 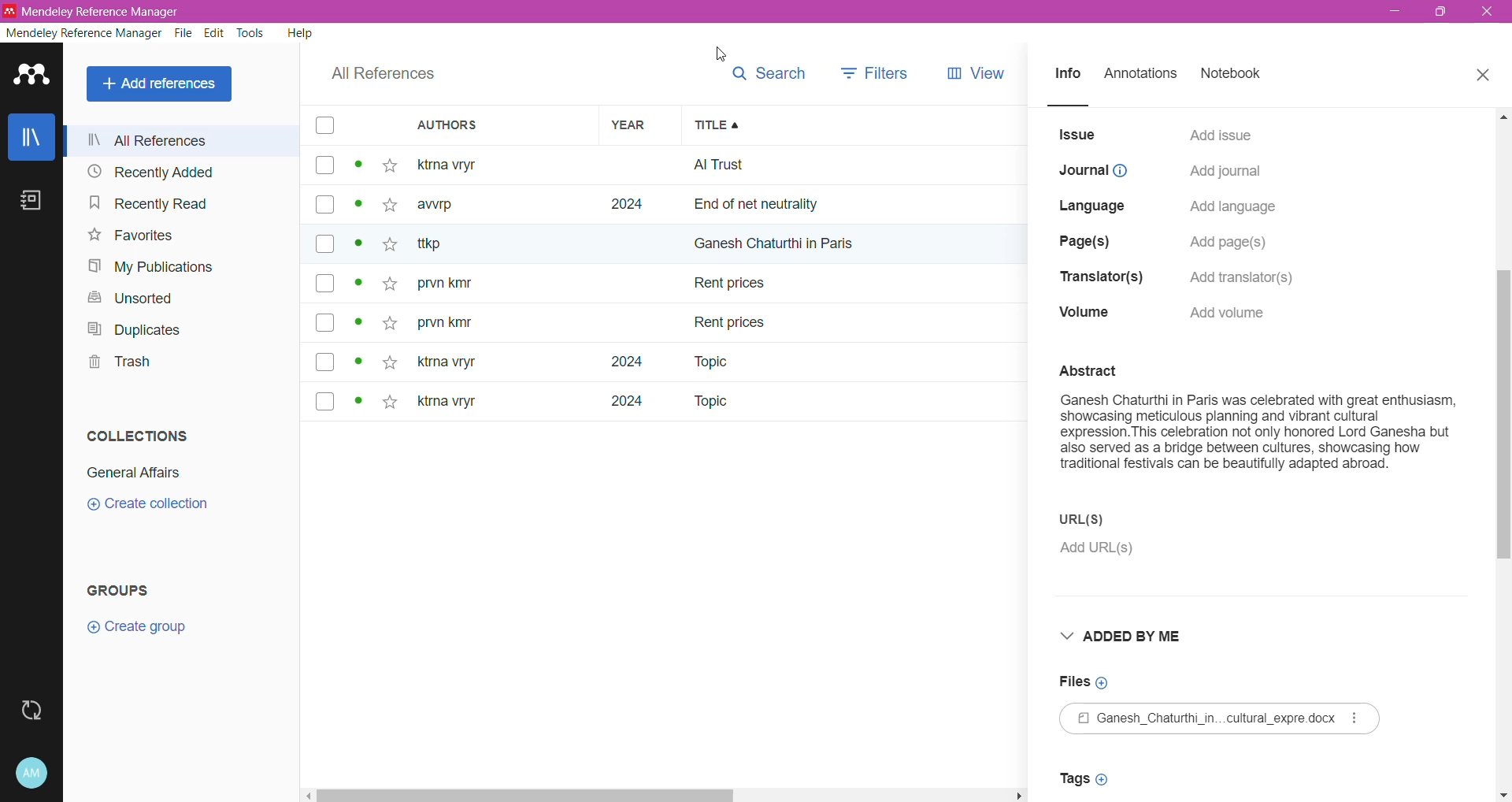 What do you see at coordinates (135, 436) in the screenshot?
I see `Collections` at bounding box center [135, 436].